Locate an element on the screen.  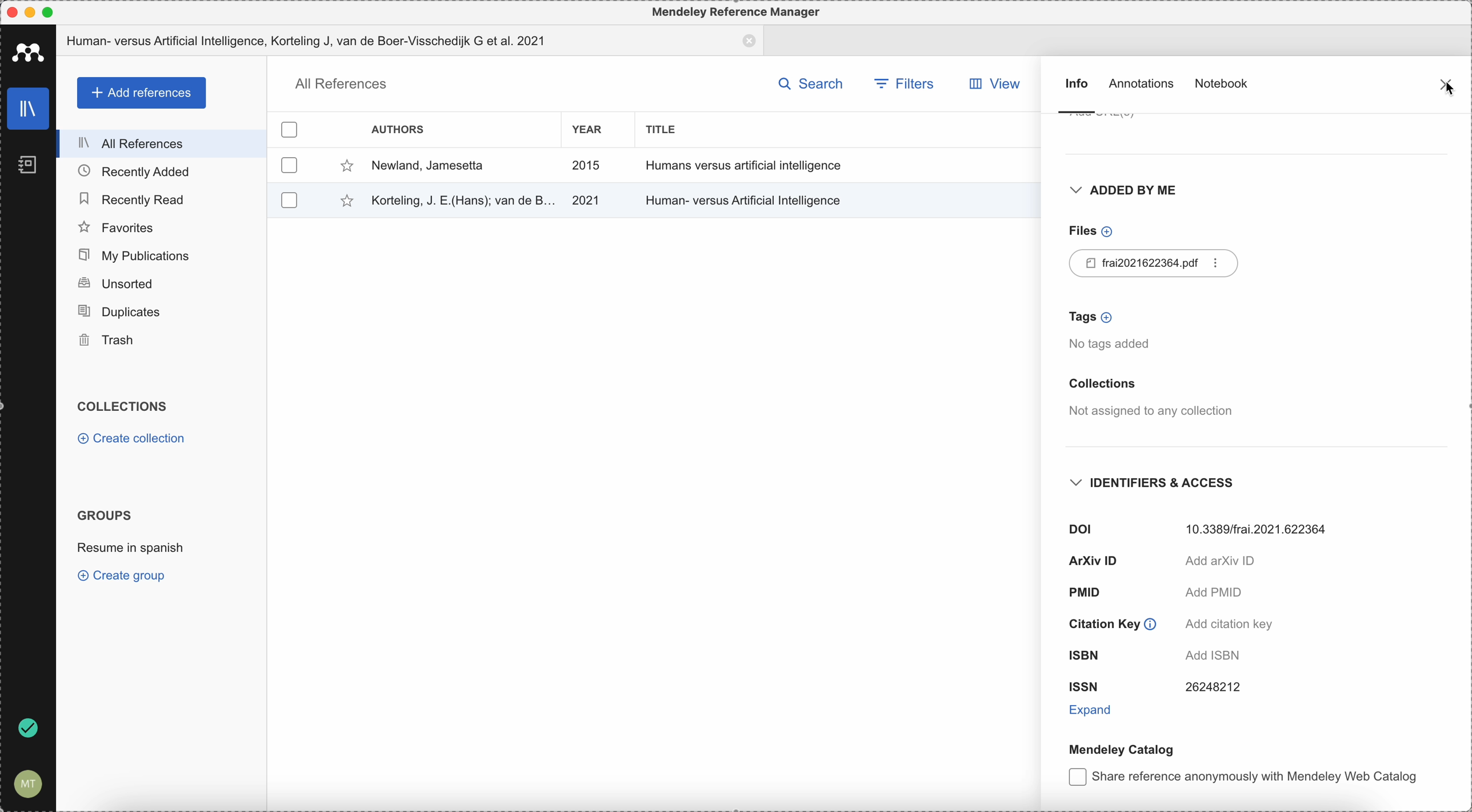
expand is located at coordinates (1093, 709).